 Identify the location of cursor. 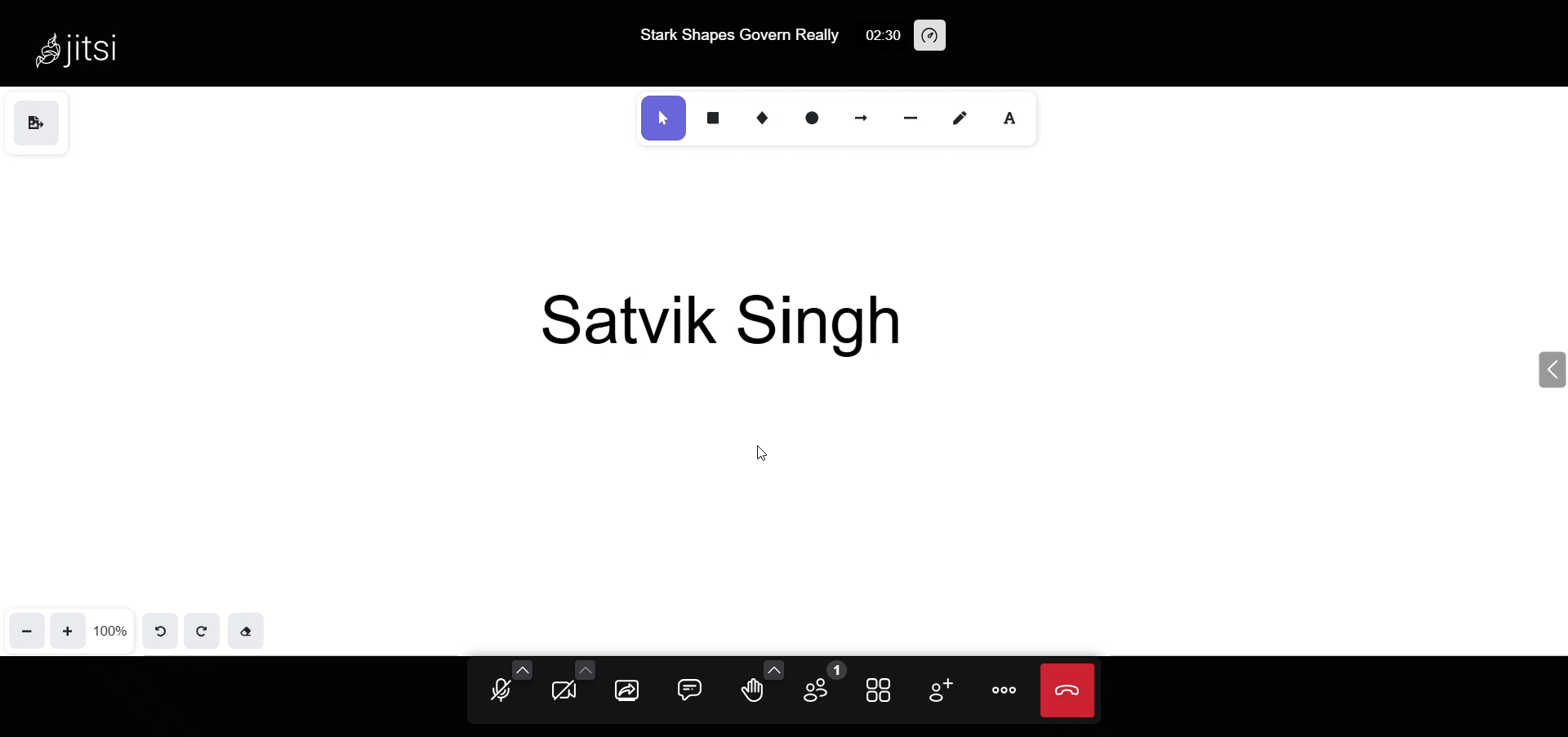
(768, 460).